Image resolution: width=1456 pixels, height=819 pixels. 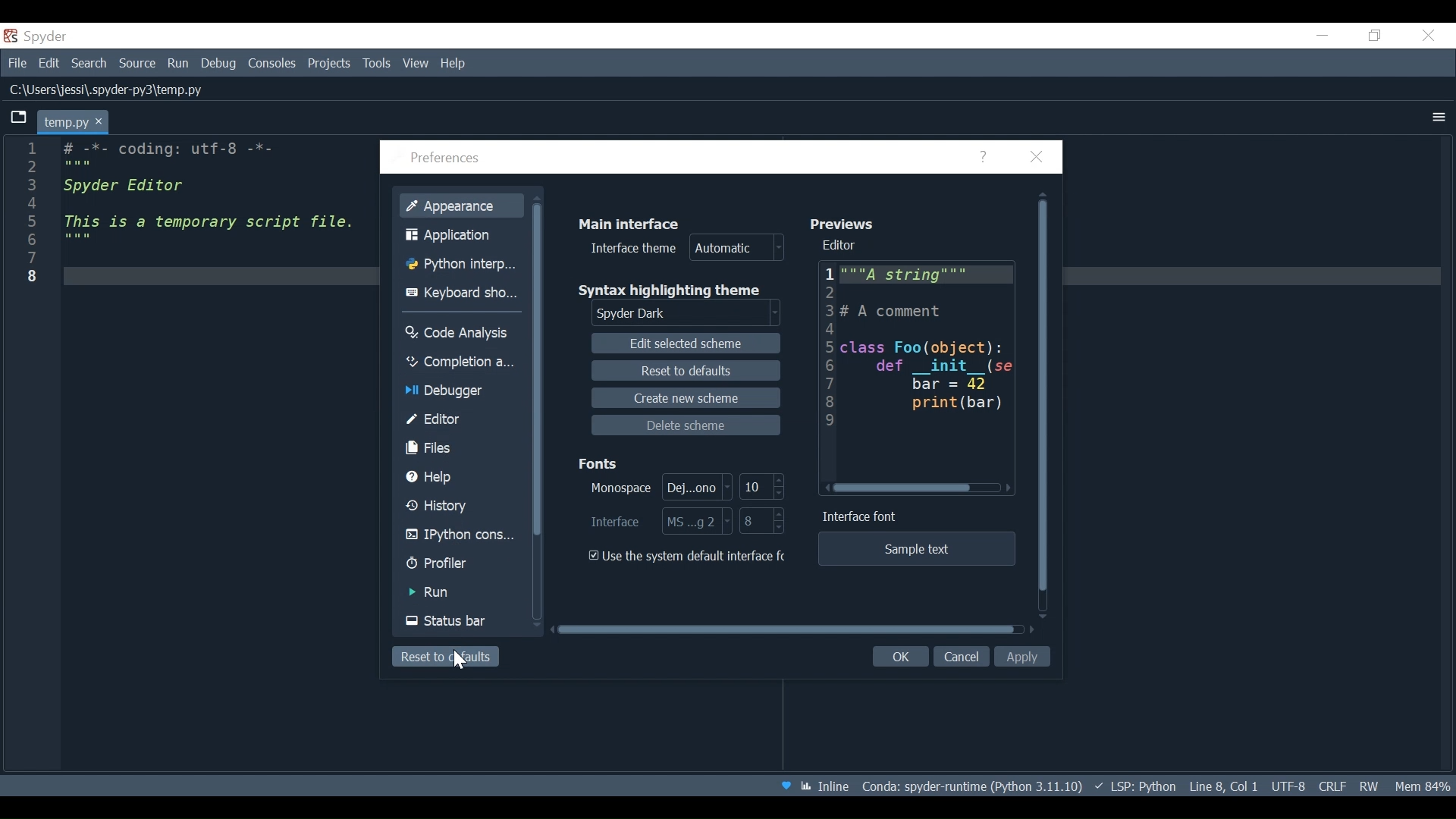 What do you see at coordinates (921, 488) in the screenshot?
I see `Horizontal Scroll bar` at bounding box center [921, 488].